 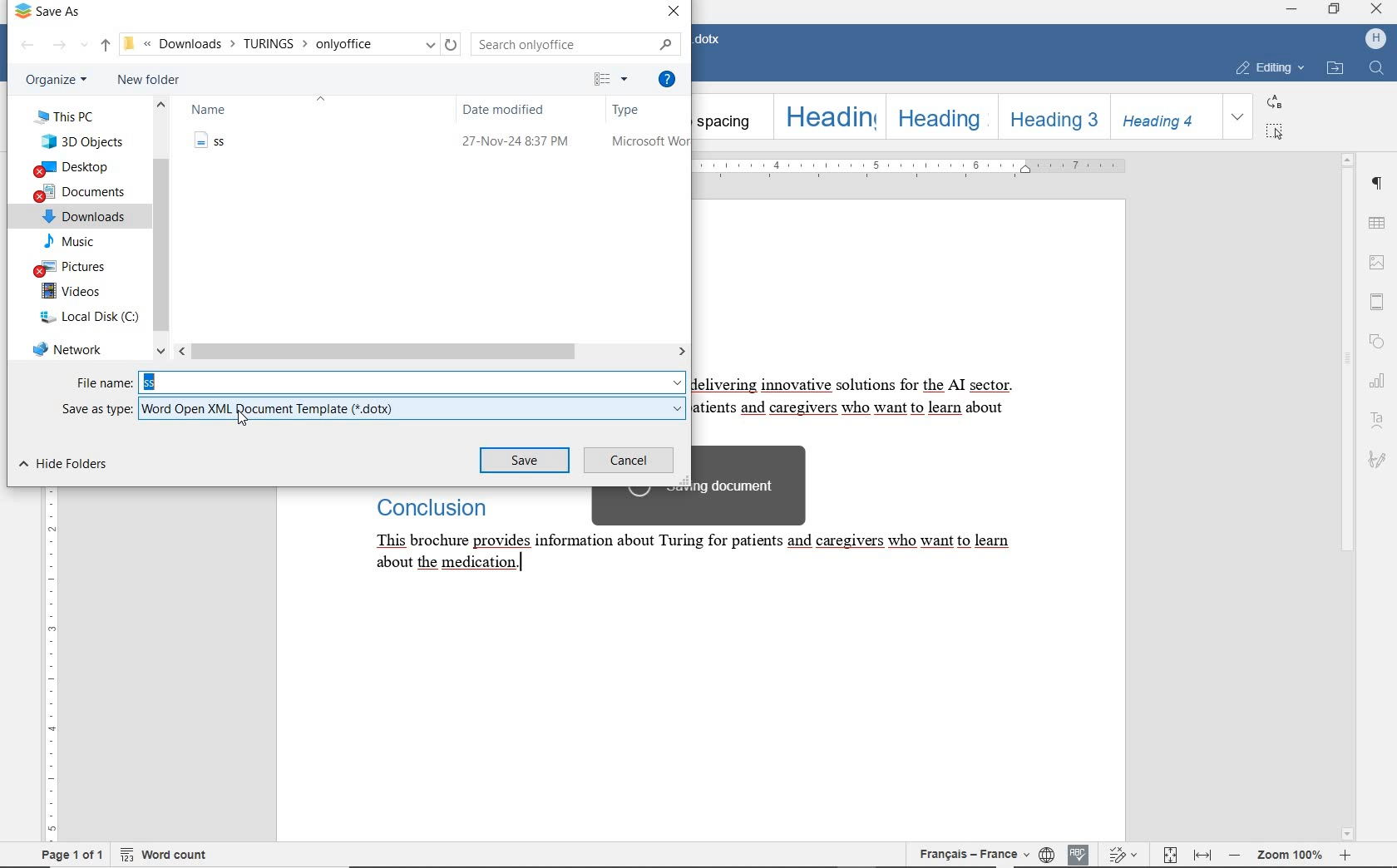 I want to click on TEXT, so click(x=870, y=501).